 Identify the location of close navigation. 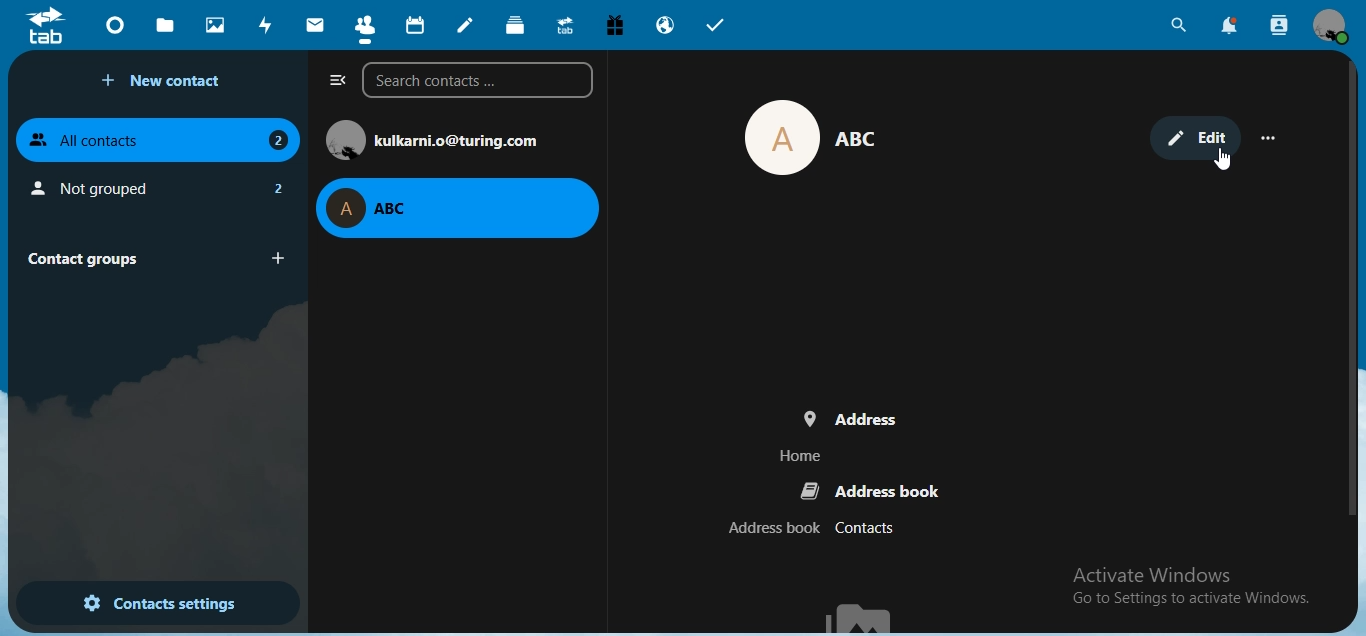
(334, 81).